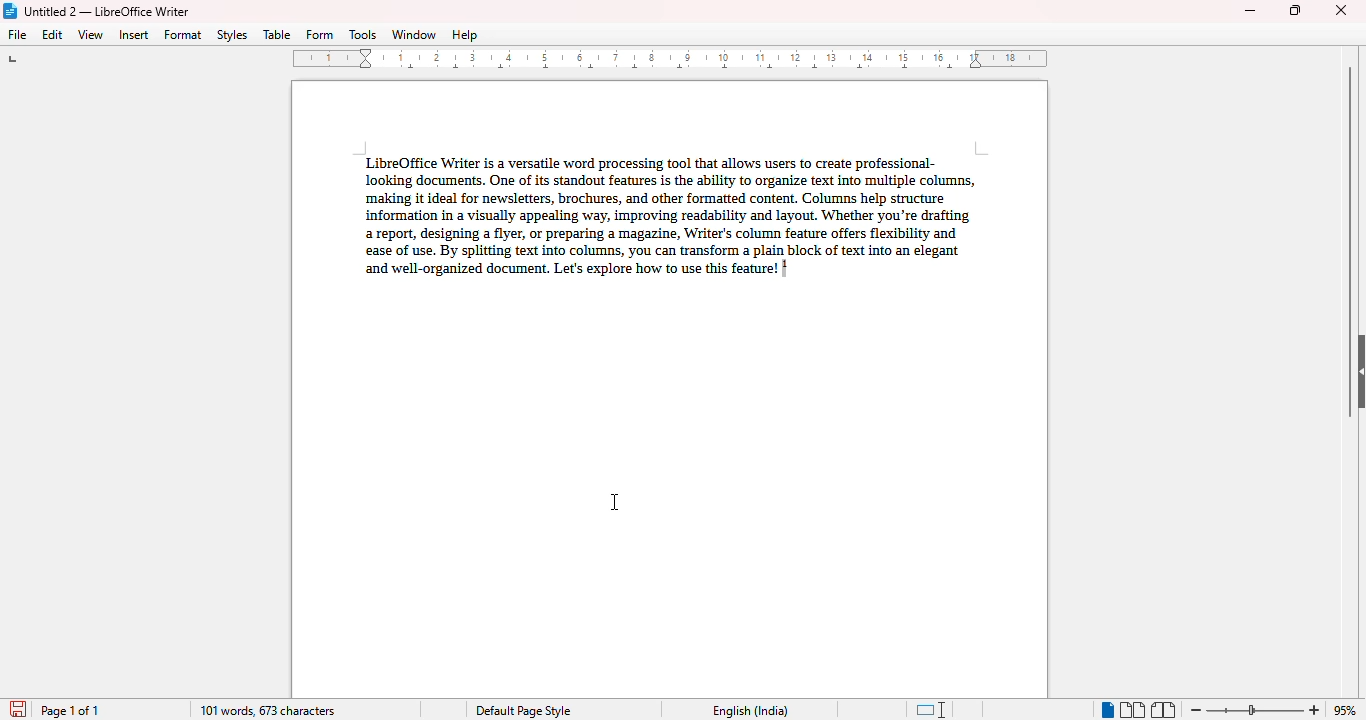 This screenshot has width=1366, height=720. Describe the element at coordinates (665, 211) in the screenshot. I see `LibreOffice Writer is a versatile word processing tool that allows users to create professional looking documents. One of its standout features is the ability to organize text into multiple columns,‘ making it ideal for newsletters, brochures, and other formatted content. Columns help structure information in a visually appealing way, improving readability and layout. Whether you're drafting a report, designing a flyer, or preparing a magazine, Writer's column feature offers flexibility and ease of use. By splitting text into columns, you can transform a plain block of text into an elegant and well-organized document. Let's explore how $0 use this features!` at that location.